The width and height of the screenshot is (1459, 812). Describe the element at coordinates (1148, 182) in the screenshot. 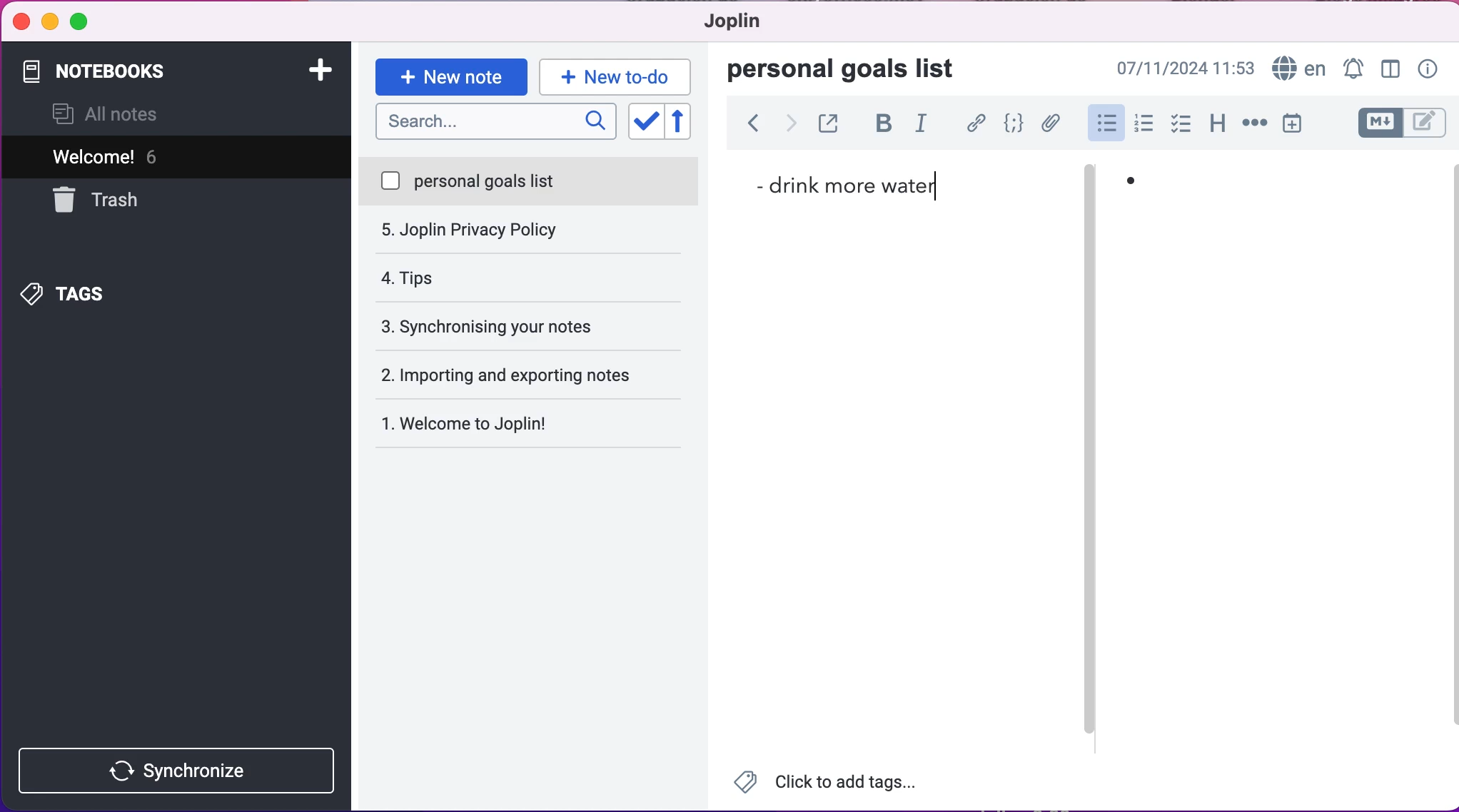

I see `bullet` at that location.